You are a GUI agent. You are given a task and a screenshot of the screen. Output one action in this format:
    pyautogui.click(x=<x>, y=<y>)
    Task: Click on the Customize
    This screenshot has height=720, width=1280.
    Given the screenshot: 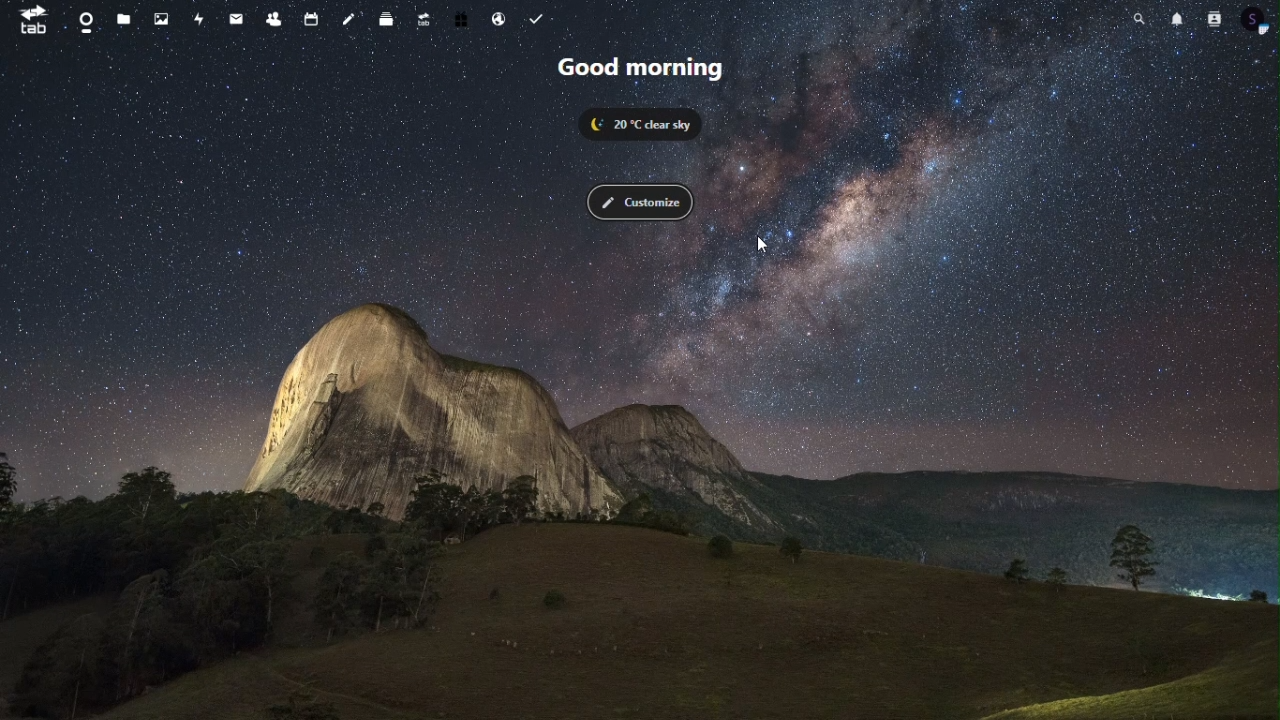 What is the action you would take?
    pyautogui.click(x=639, y=203)
    